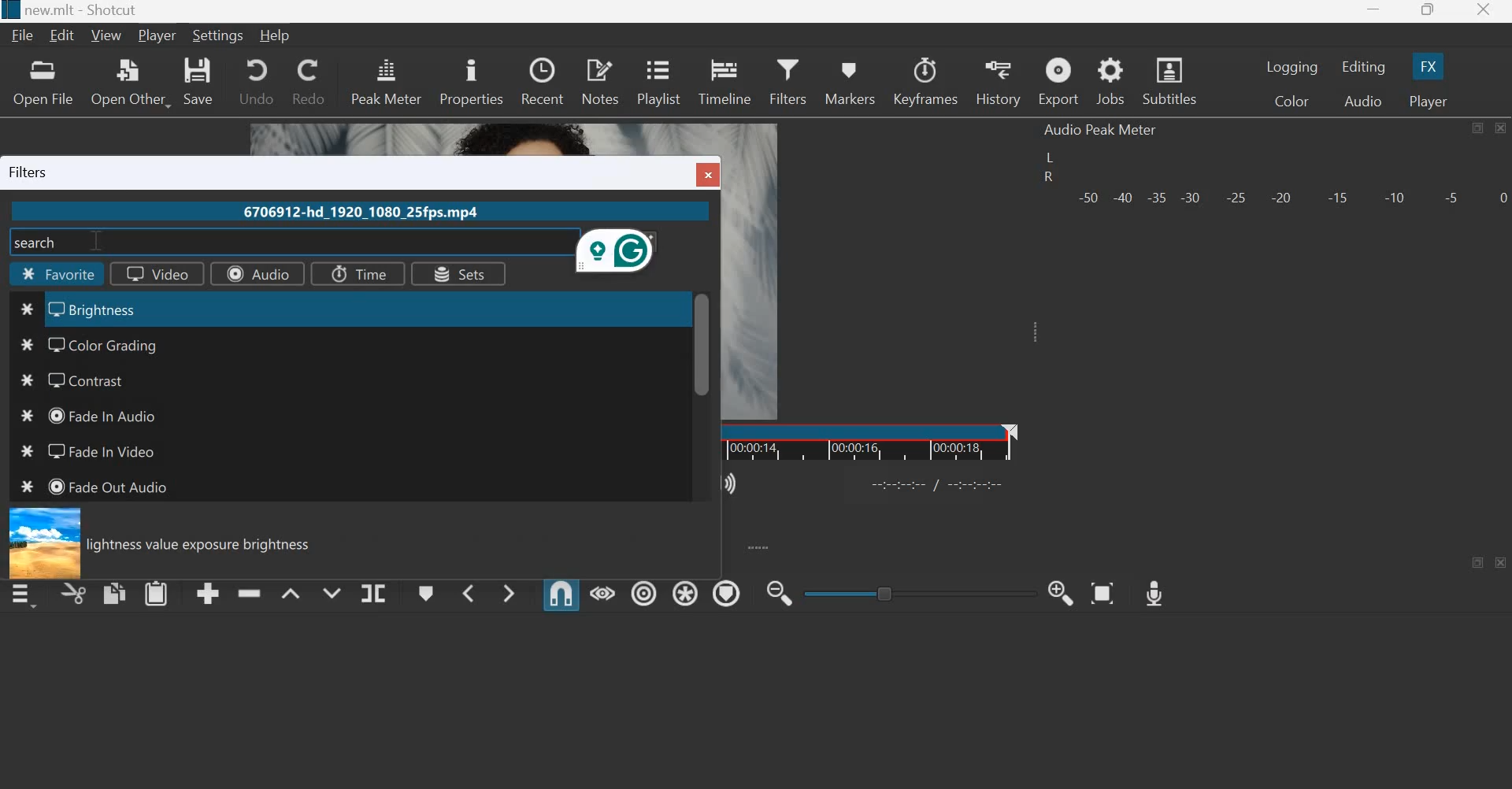 This screenshot has width=1512, height=789. I want to click on paste, so click(157, 592).